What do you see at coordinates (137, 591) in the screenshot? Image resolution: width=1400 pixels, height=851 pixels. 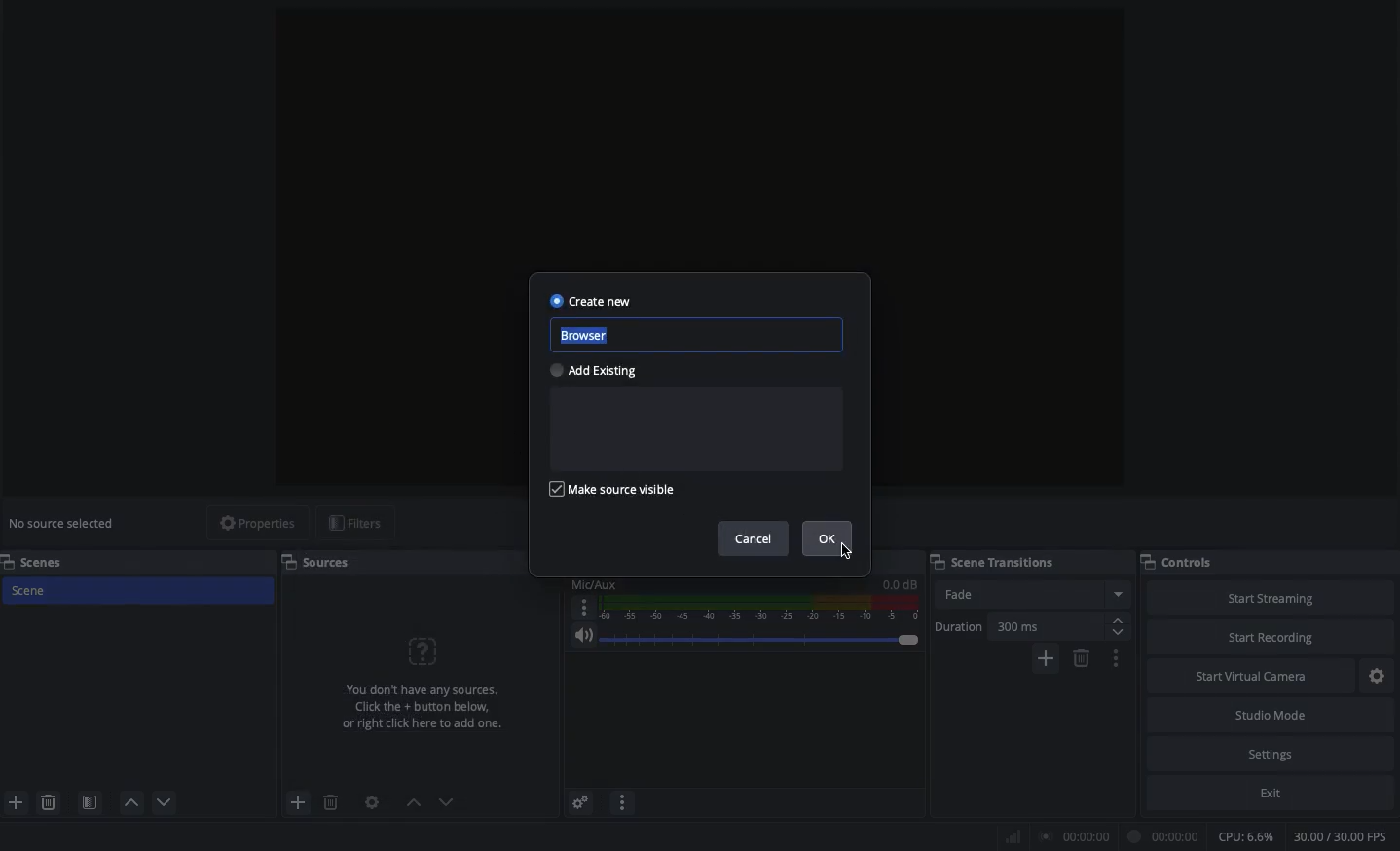 I see `Scene` at bounding box center [137, 591].